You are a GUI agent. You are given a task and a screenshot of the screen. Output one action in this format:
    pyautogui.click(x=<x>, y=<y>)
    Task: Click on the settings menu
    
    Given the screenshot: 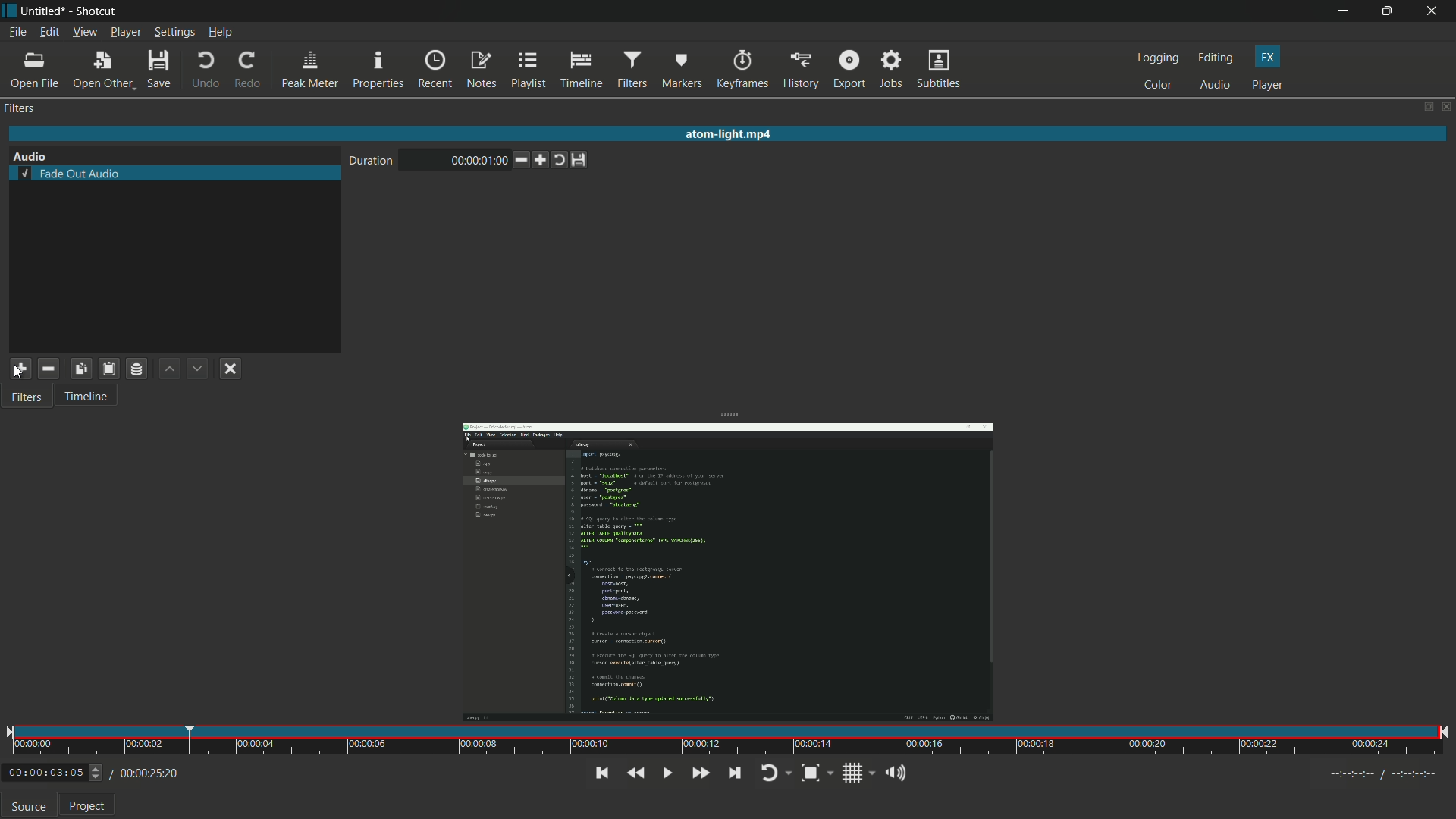 What is the action you would take?
    pyautogui.click(x=175, y=33)
    